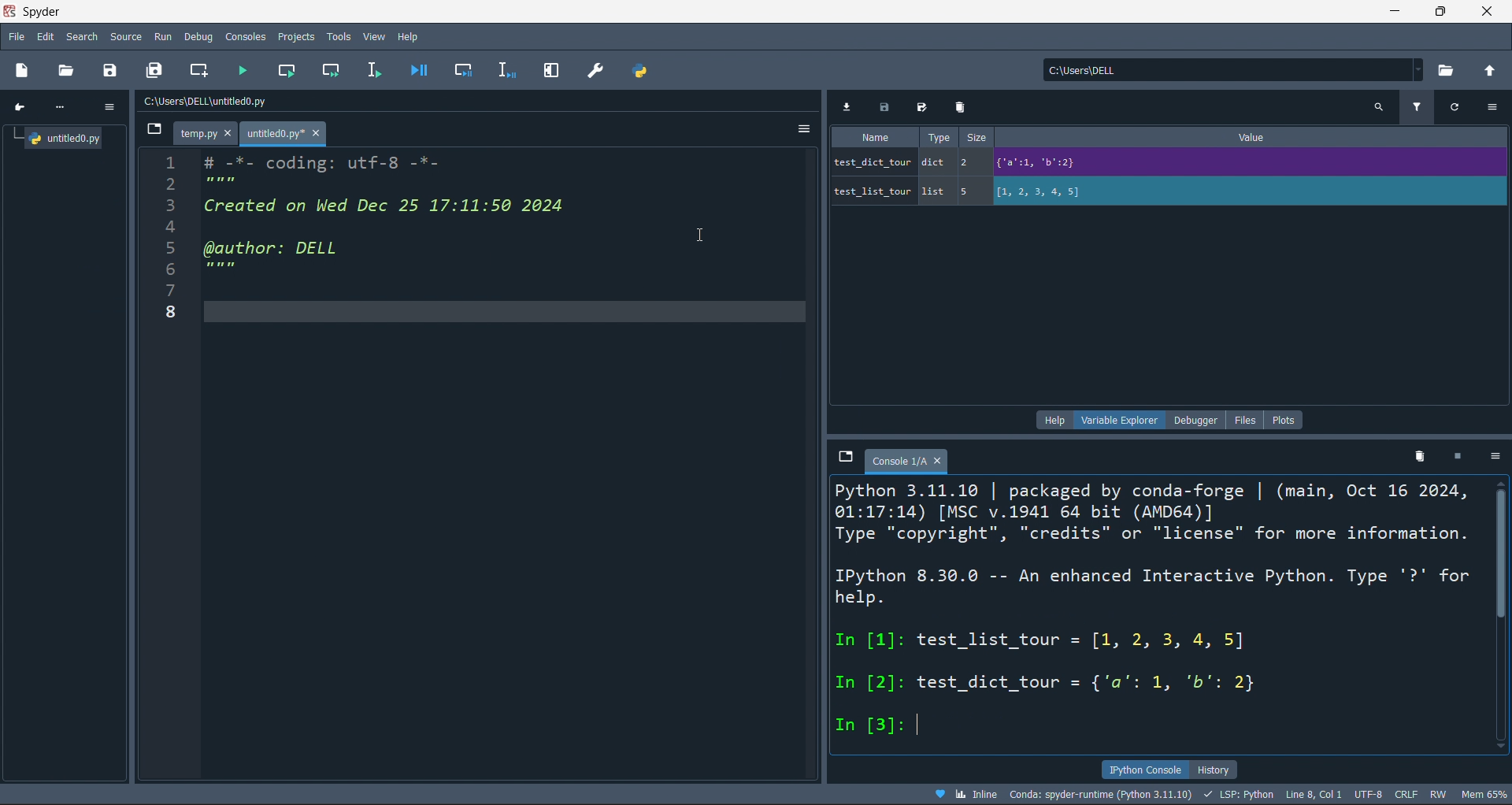 The width and height of the screenshot is (1512, 805). Describe the element at coordinates (338, 37) in the screenshot. I see `tools` at that location.